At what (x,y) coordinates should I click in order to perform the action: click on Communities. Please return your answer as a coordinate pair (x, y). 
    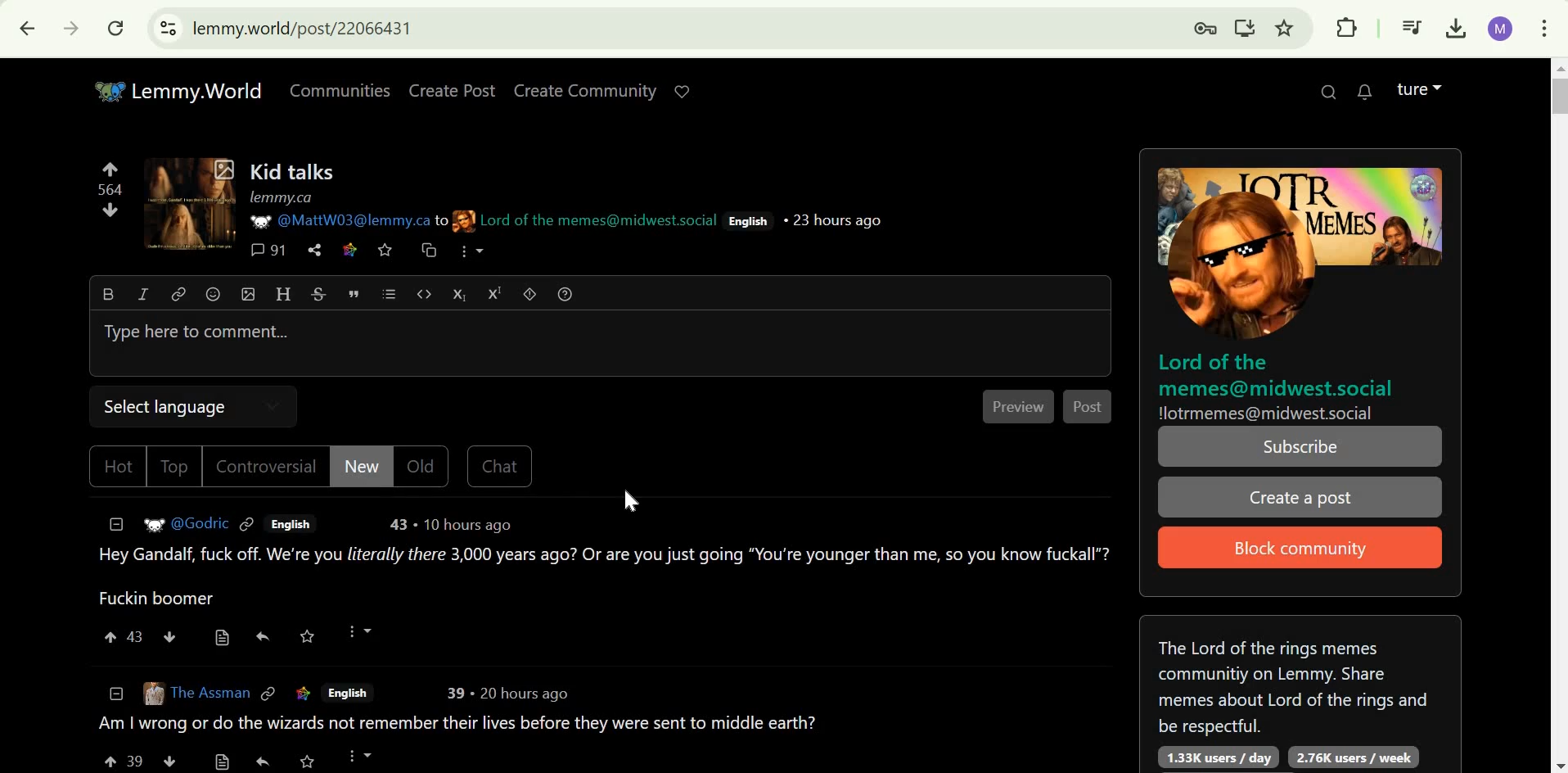
    Looking at the image, I should click on (340, 90).